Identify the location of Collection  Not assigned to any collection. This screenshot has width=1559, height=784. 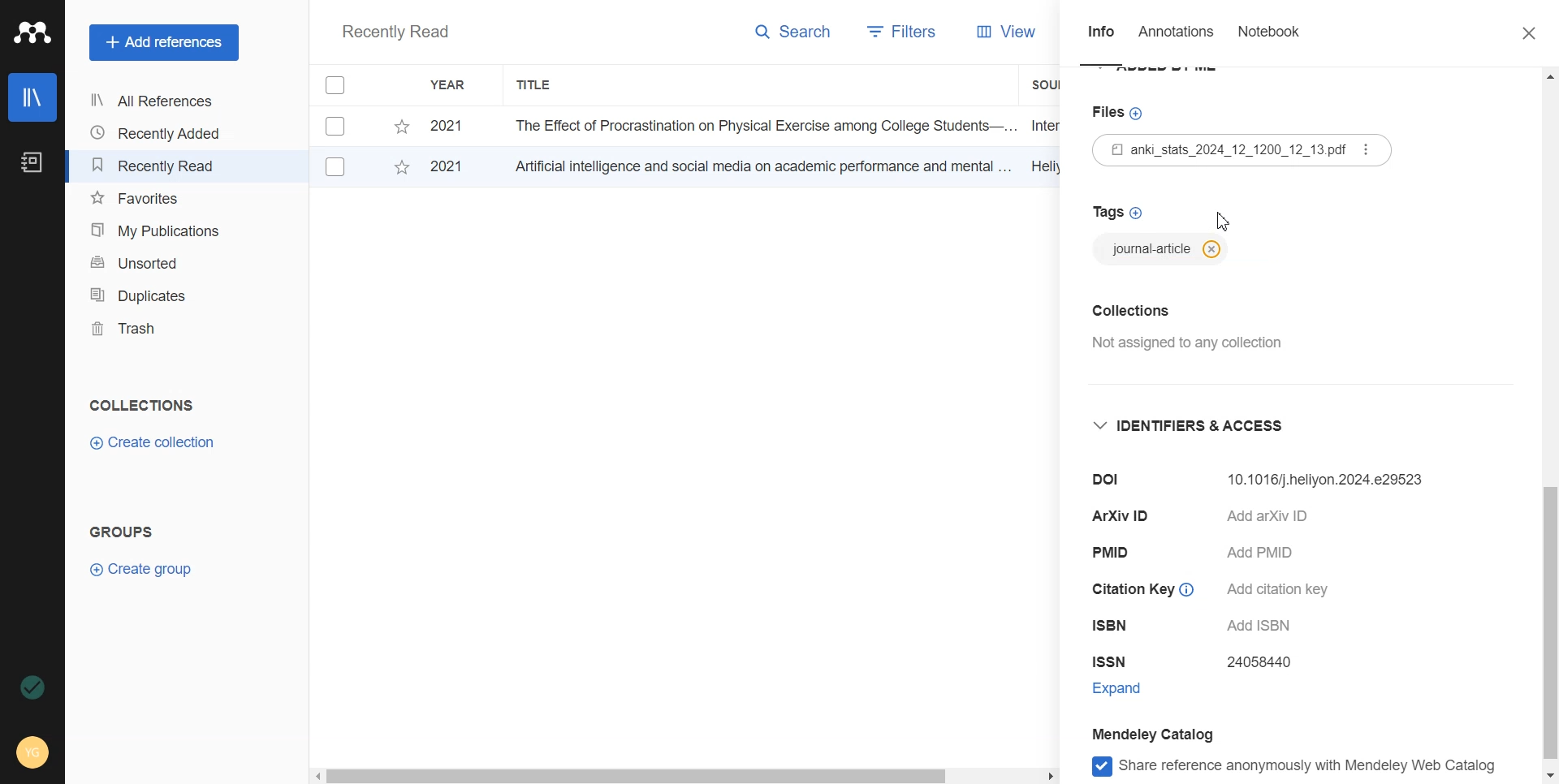
(1172, 331).